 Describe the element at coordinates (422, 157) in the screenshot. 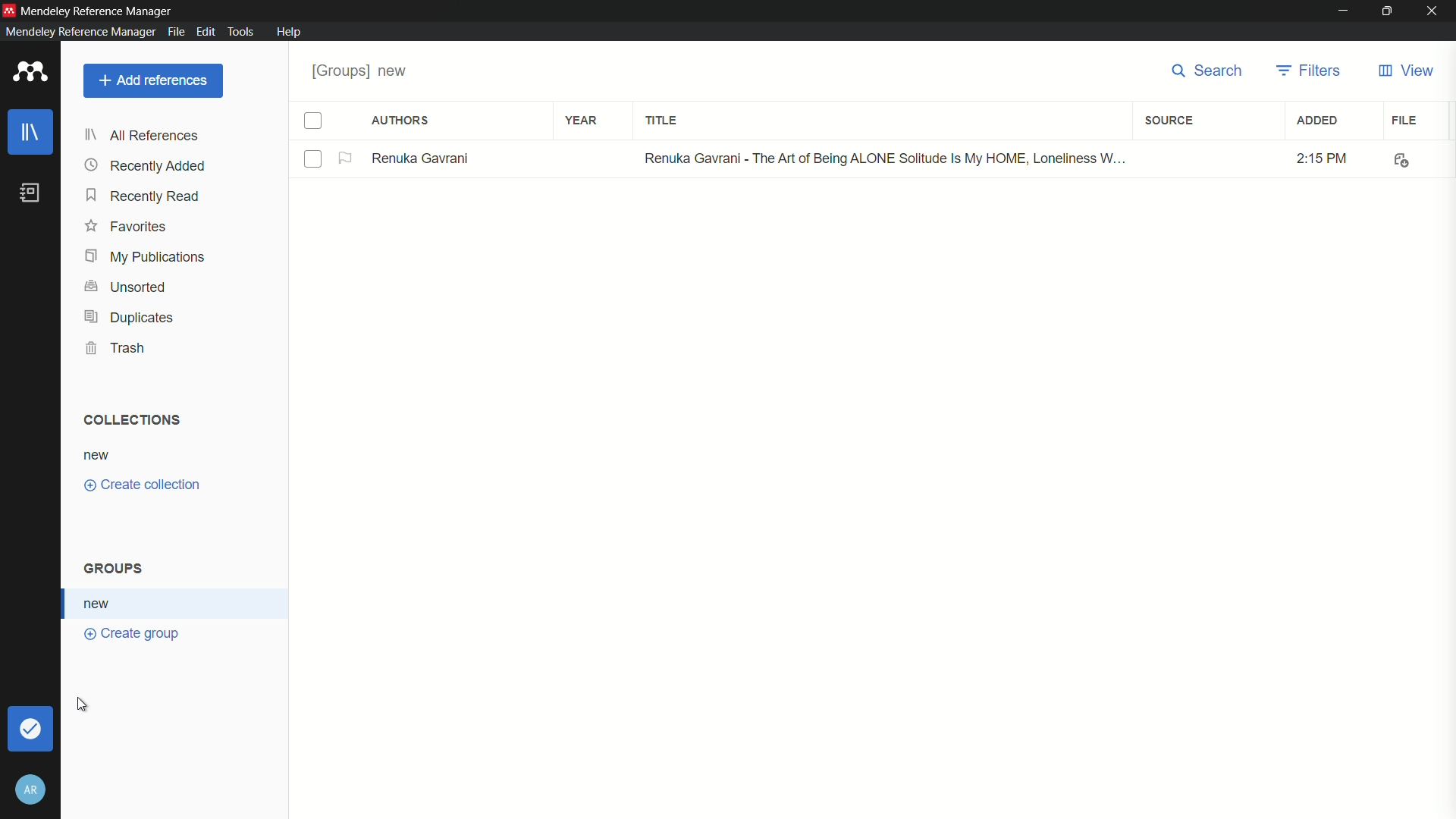

I see `Renuka Gavrani` at that location.